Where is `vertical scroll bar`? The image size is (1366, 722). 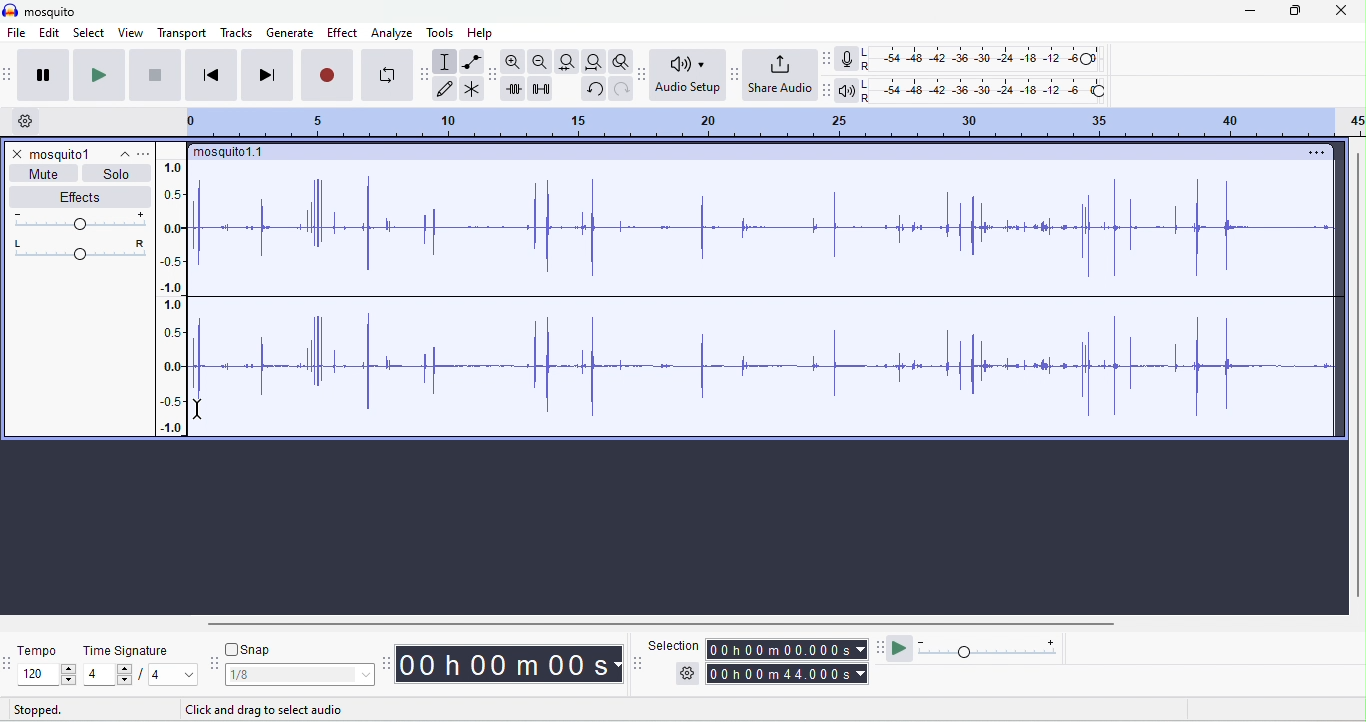 vertical scroll bar is located at coordinates (1356, 377).